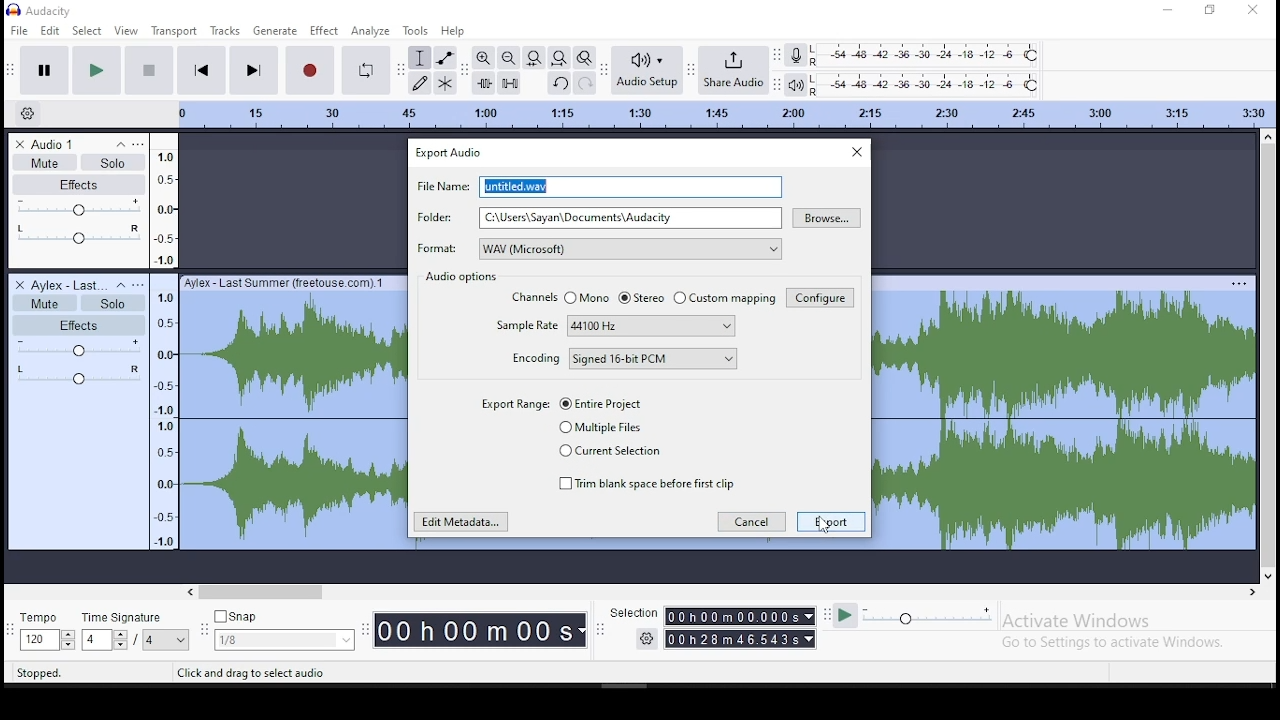  Describe the element at coordinates (79, 375) in the screenshot. I see `pan` at that location.